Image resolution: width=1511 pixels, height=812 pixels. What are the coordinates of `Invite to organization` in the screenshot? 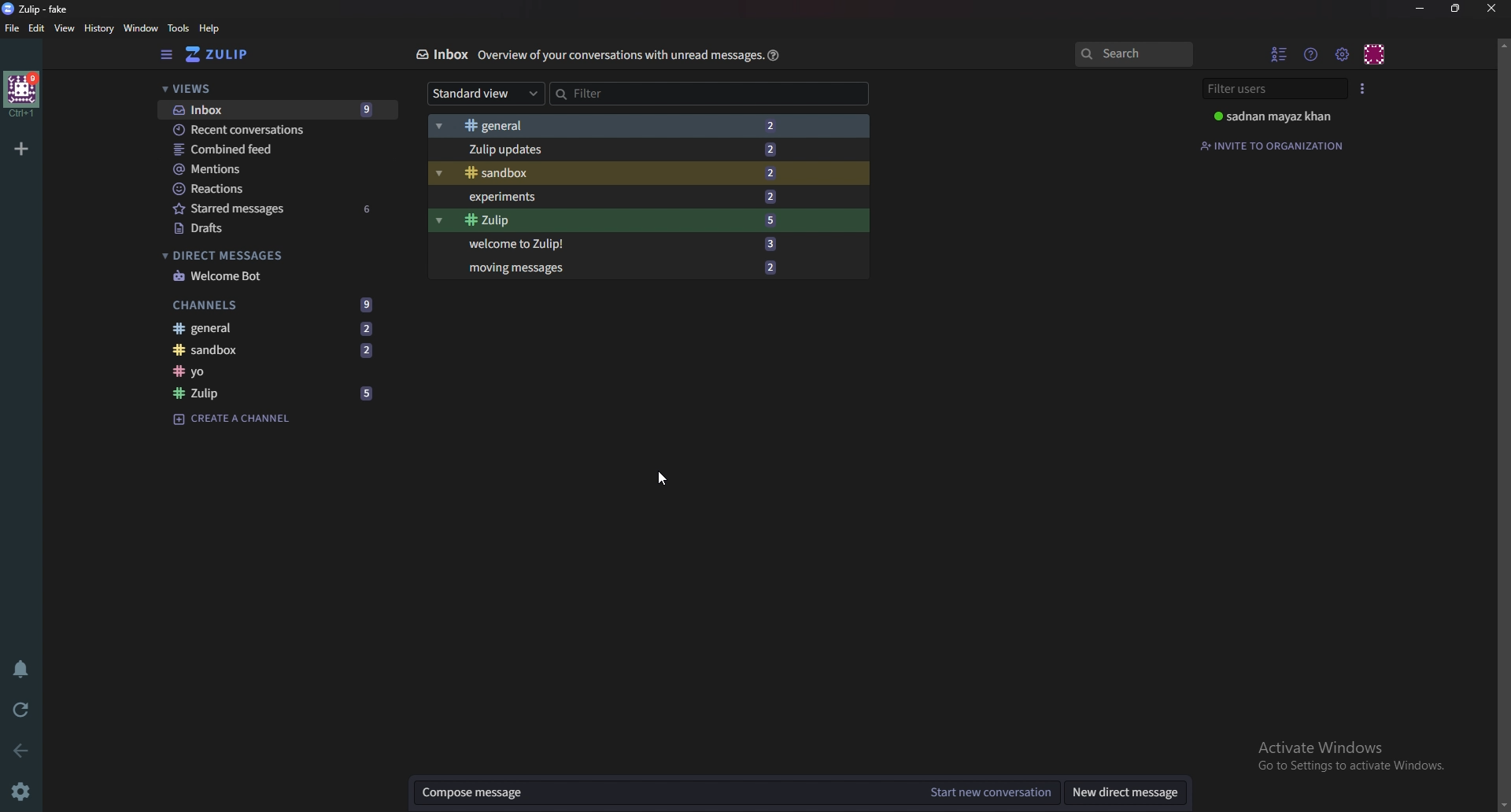 It's located at (1272, 146).